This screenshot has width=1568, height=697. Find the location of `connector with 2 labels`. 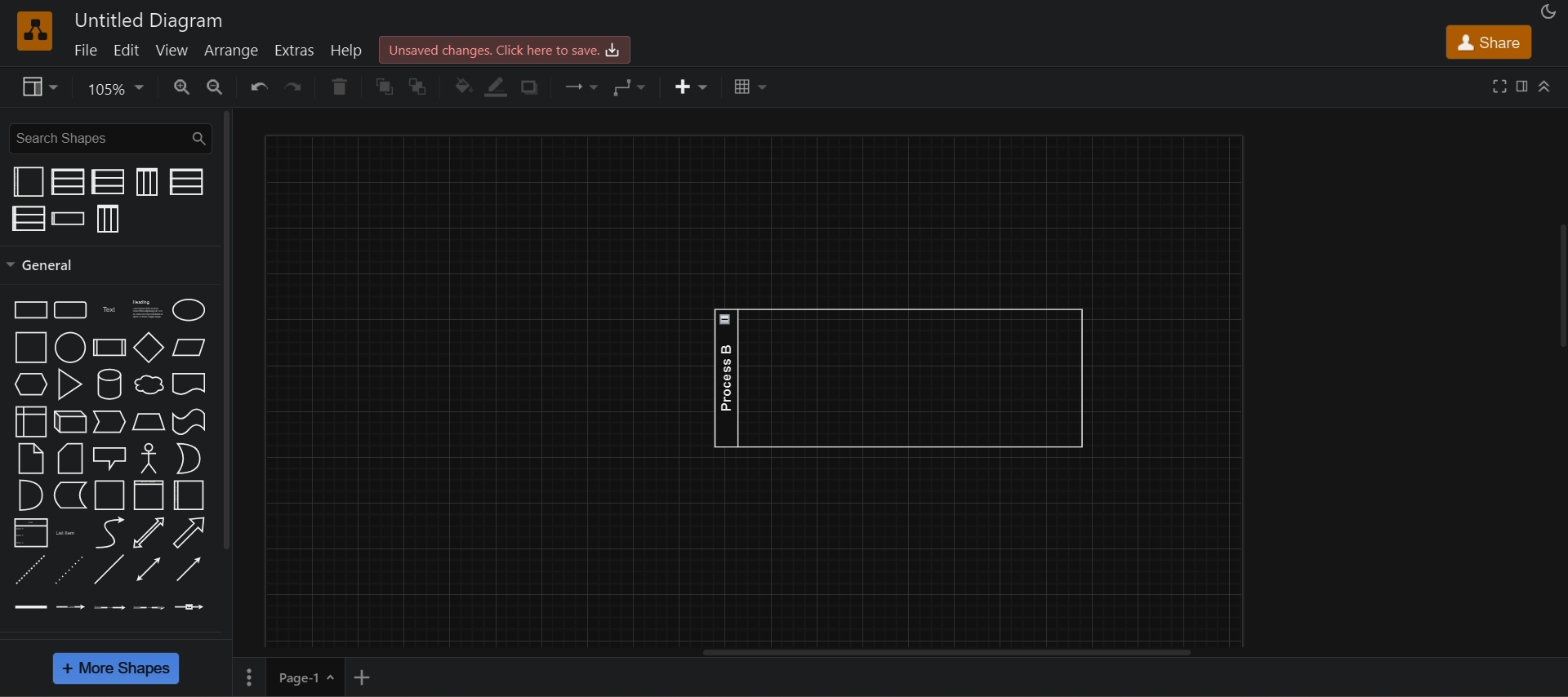

connector with 2 labels is located at coordinates (110, 609).